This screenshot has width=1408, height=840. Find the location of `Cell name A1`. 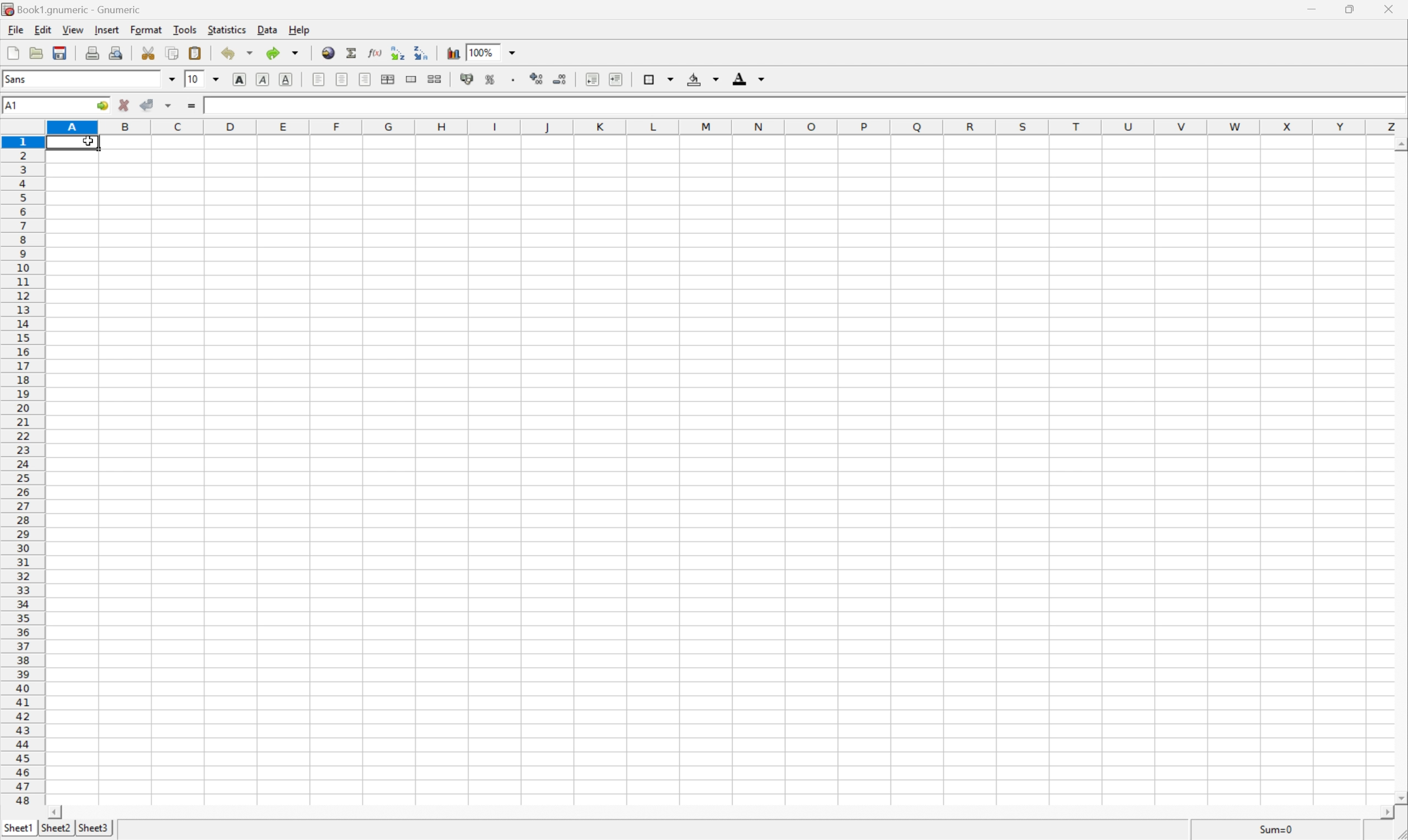

Cell name A1 is located at coordinates (43, 106).